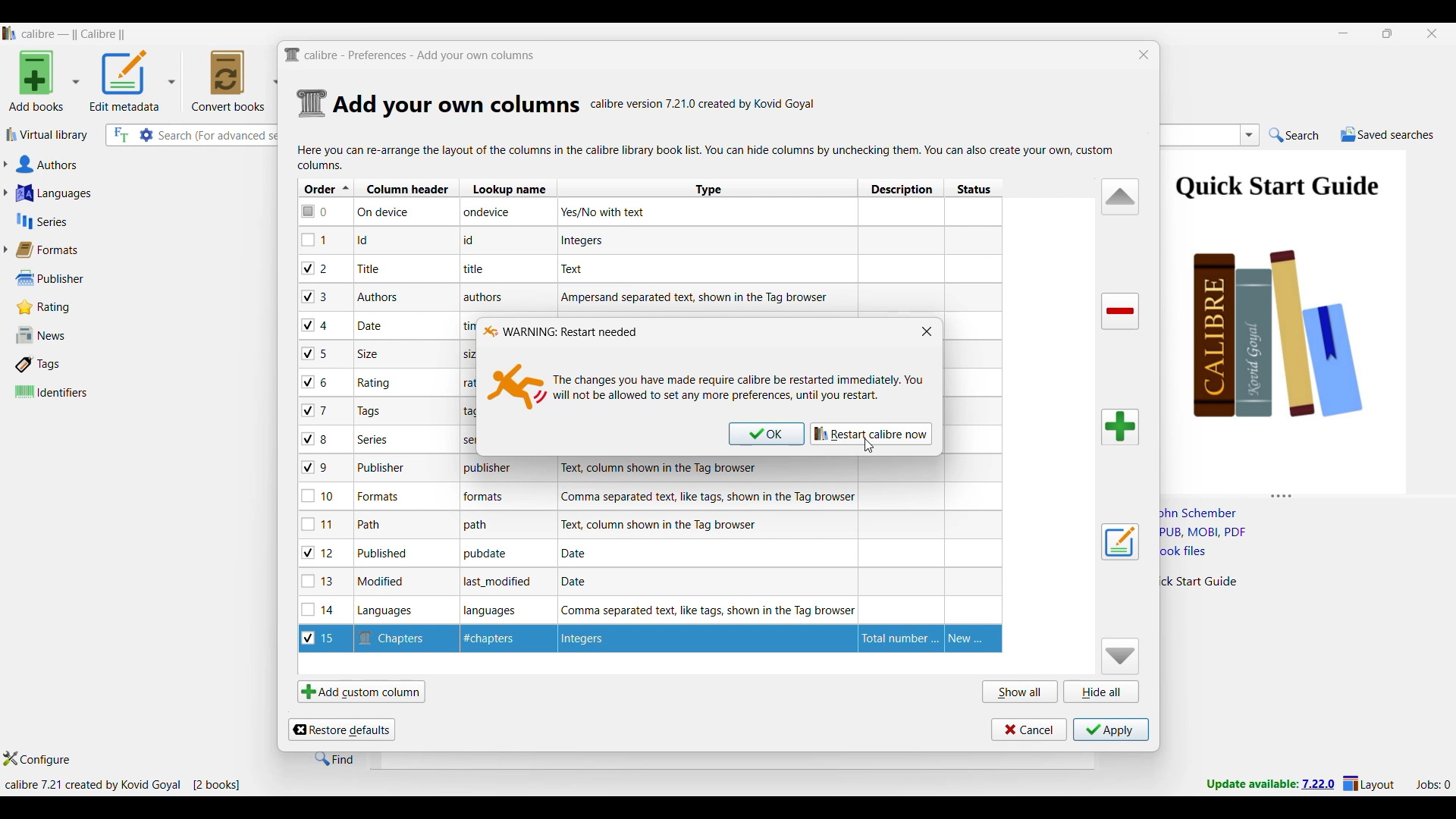 Image resolution: width=1456 pixels, height=819 pixels. I want to click on note, so click(469, 355).